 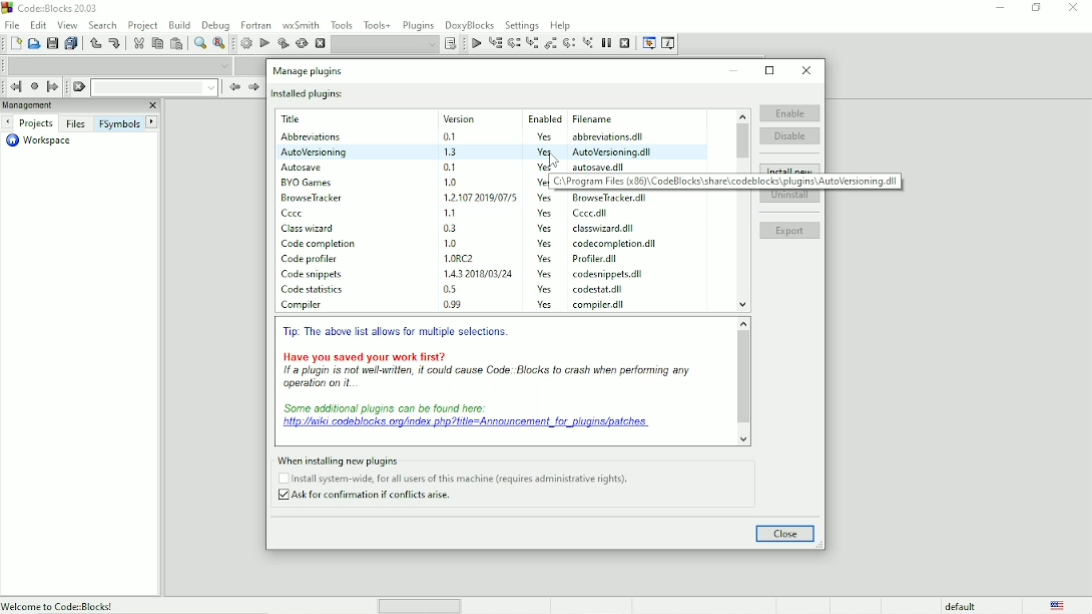 I want to click on Vertical scrollbar, so click(x=741, y=139).